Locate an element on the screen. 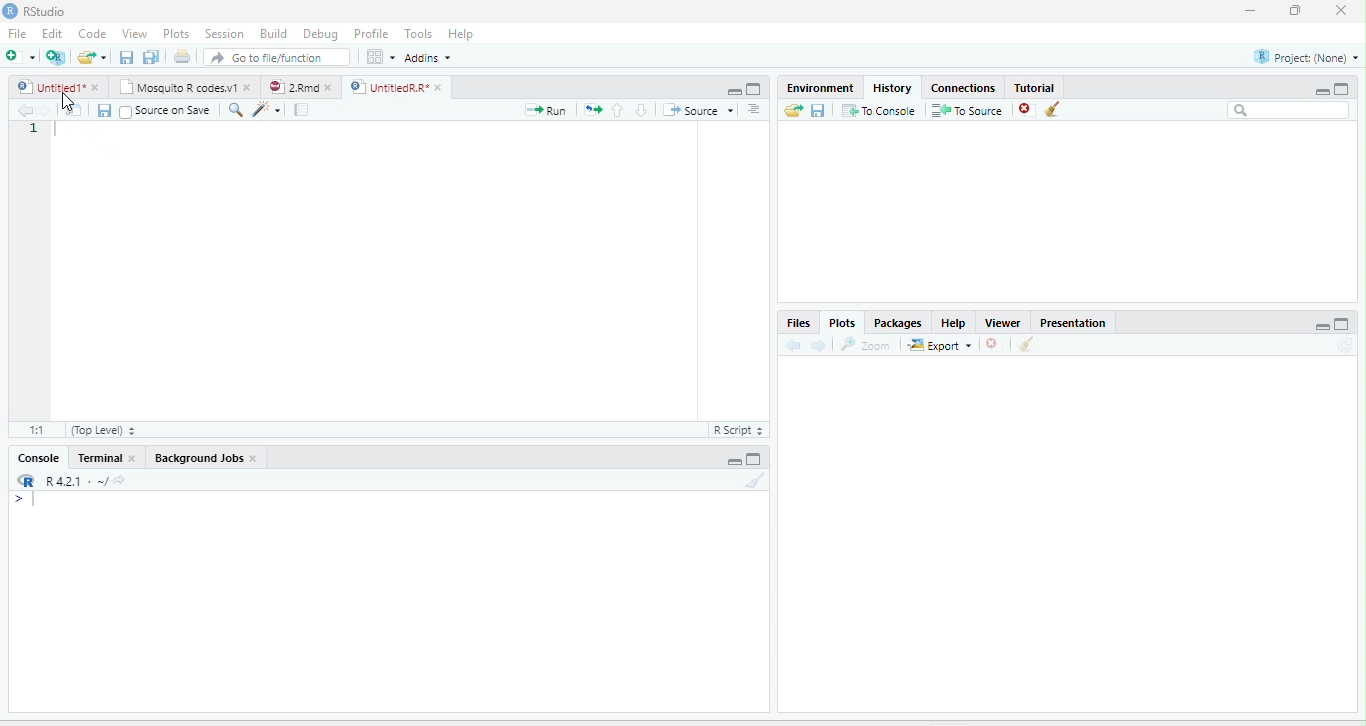 This screenshot has width=1366, height=726. Clear all history entries is located at coordinates (1053, 109).